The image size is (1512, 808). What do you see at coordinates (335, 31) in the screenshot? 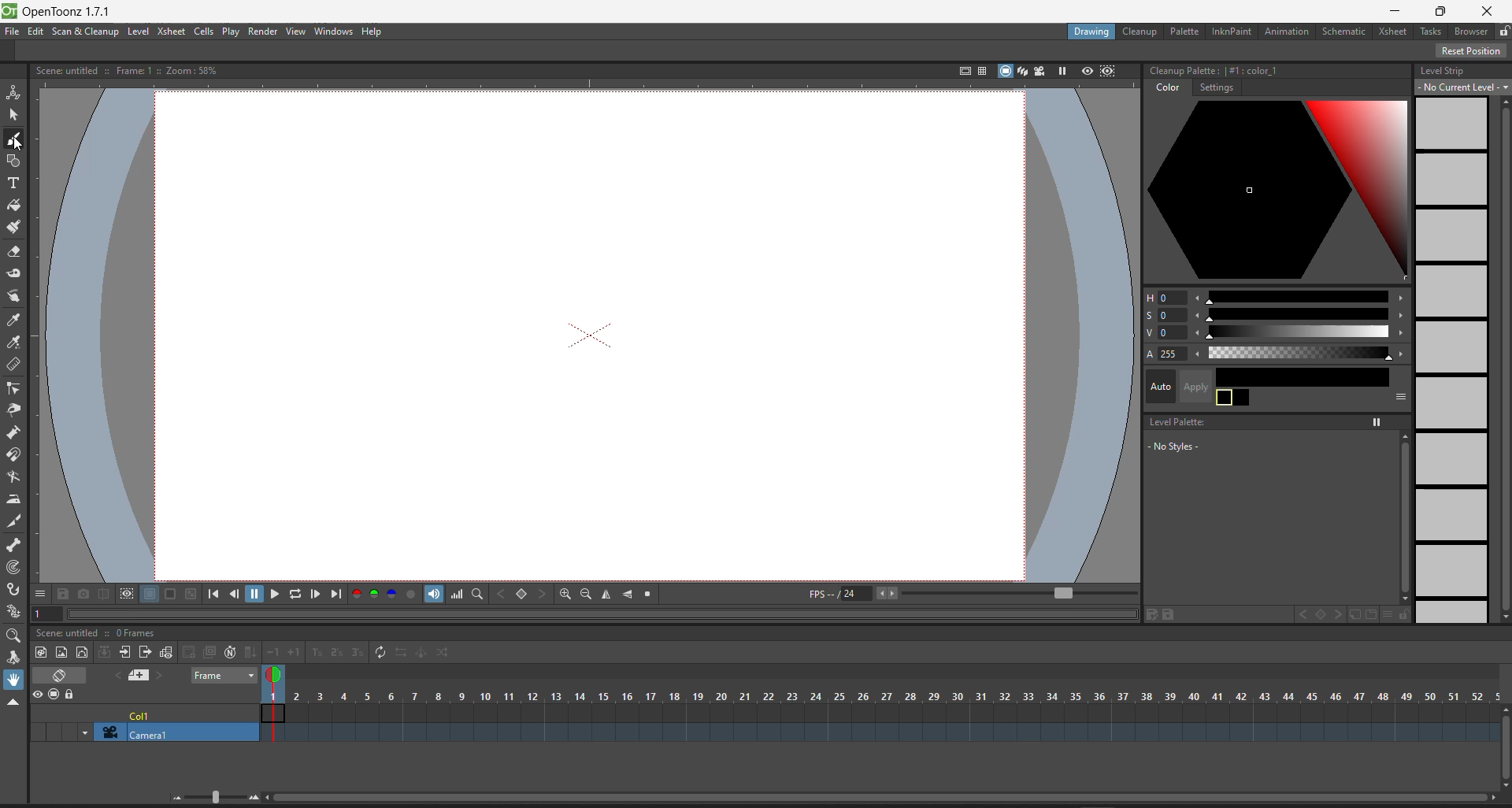
I see `windows` at bounding box center [335, 31].